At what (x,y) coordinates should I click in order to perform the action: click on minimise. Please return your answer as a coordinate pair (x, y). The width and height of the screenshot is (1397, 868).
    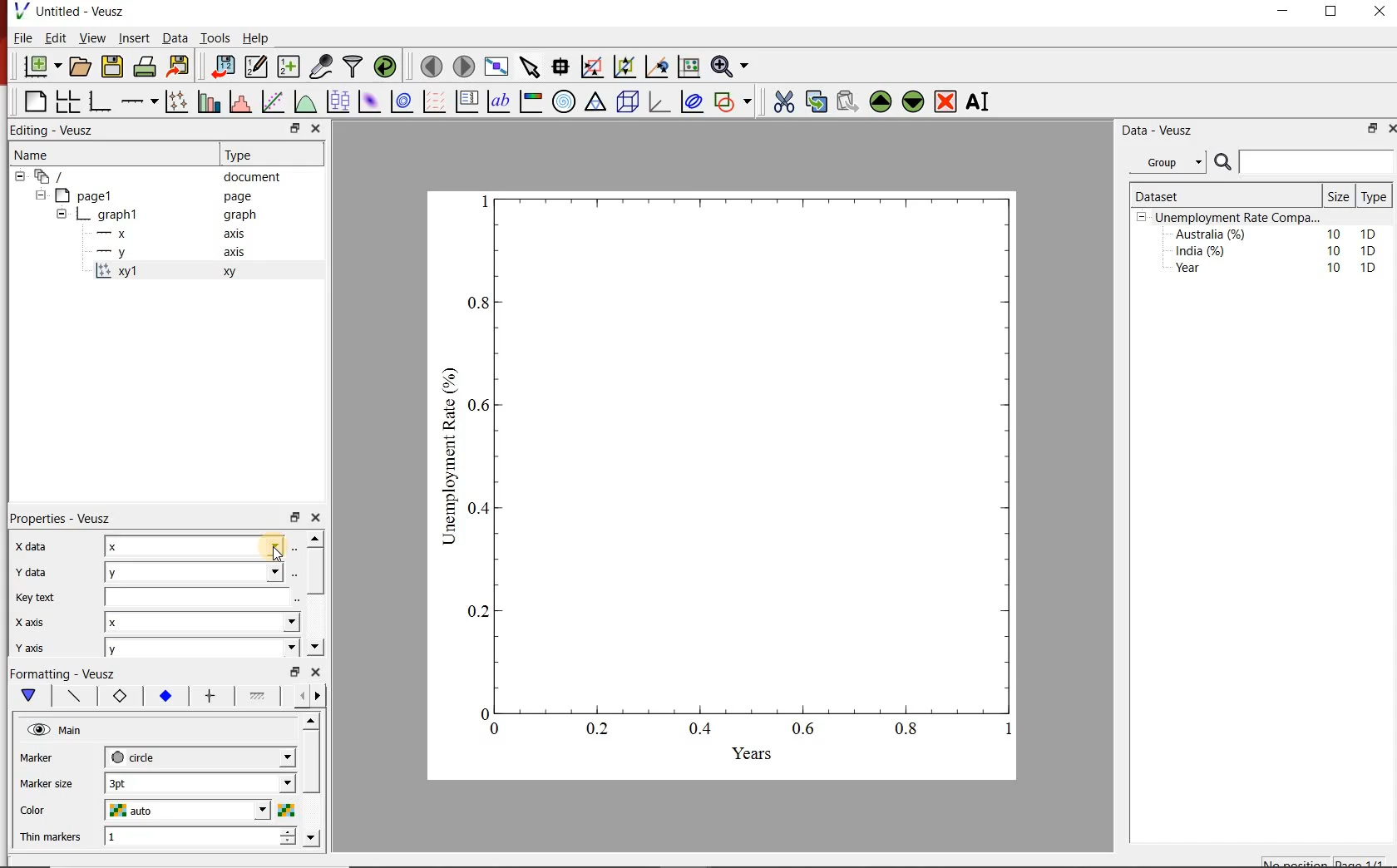
    Looking at the image, I should click on (295, 670).